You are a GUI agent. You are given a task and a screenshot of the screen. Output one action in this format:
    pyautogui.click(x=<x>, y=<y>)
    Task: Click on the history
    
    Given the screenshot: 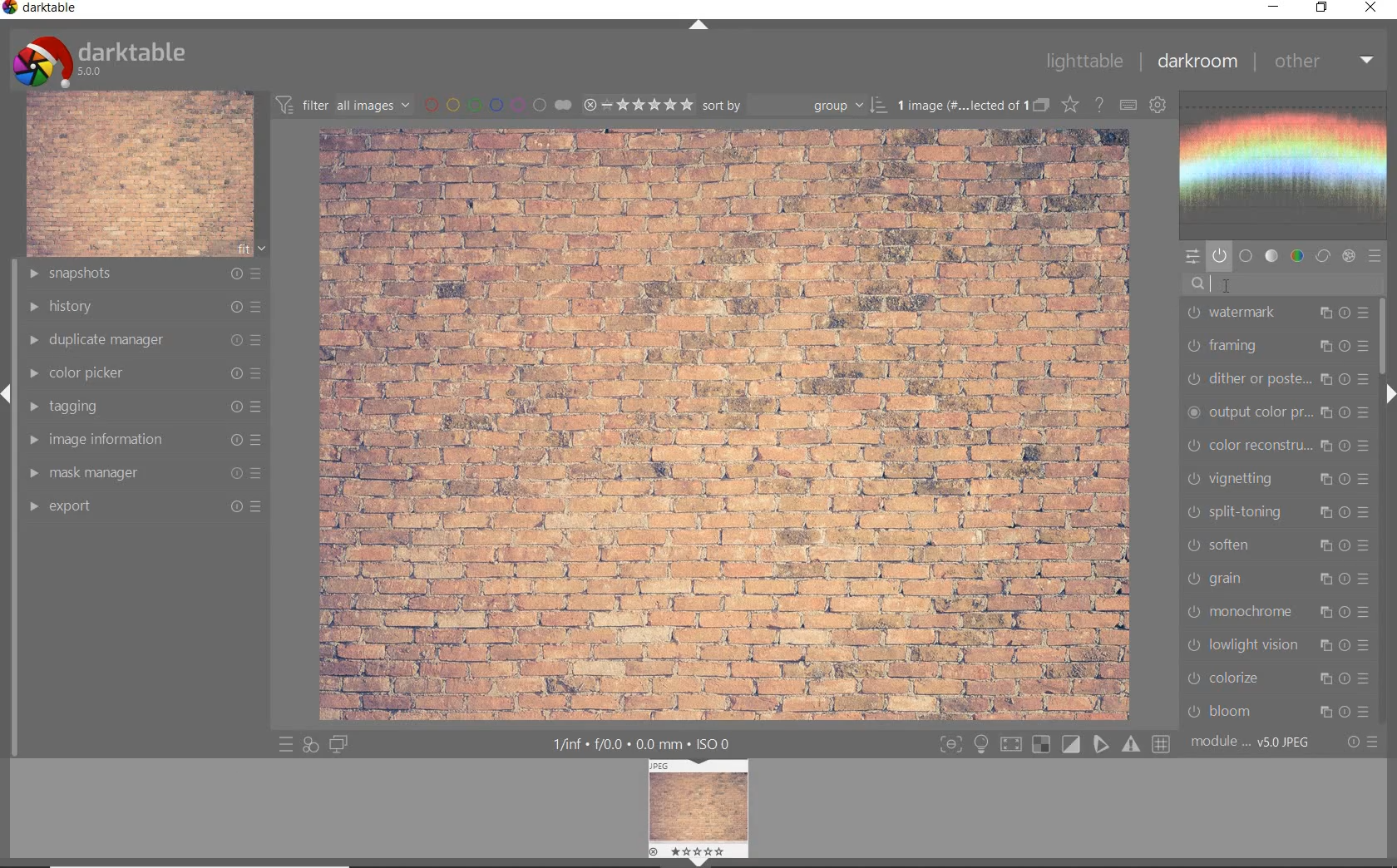 What is the action you would take?
    pyautogui.click(x=147, y=307)
    